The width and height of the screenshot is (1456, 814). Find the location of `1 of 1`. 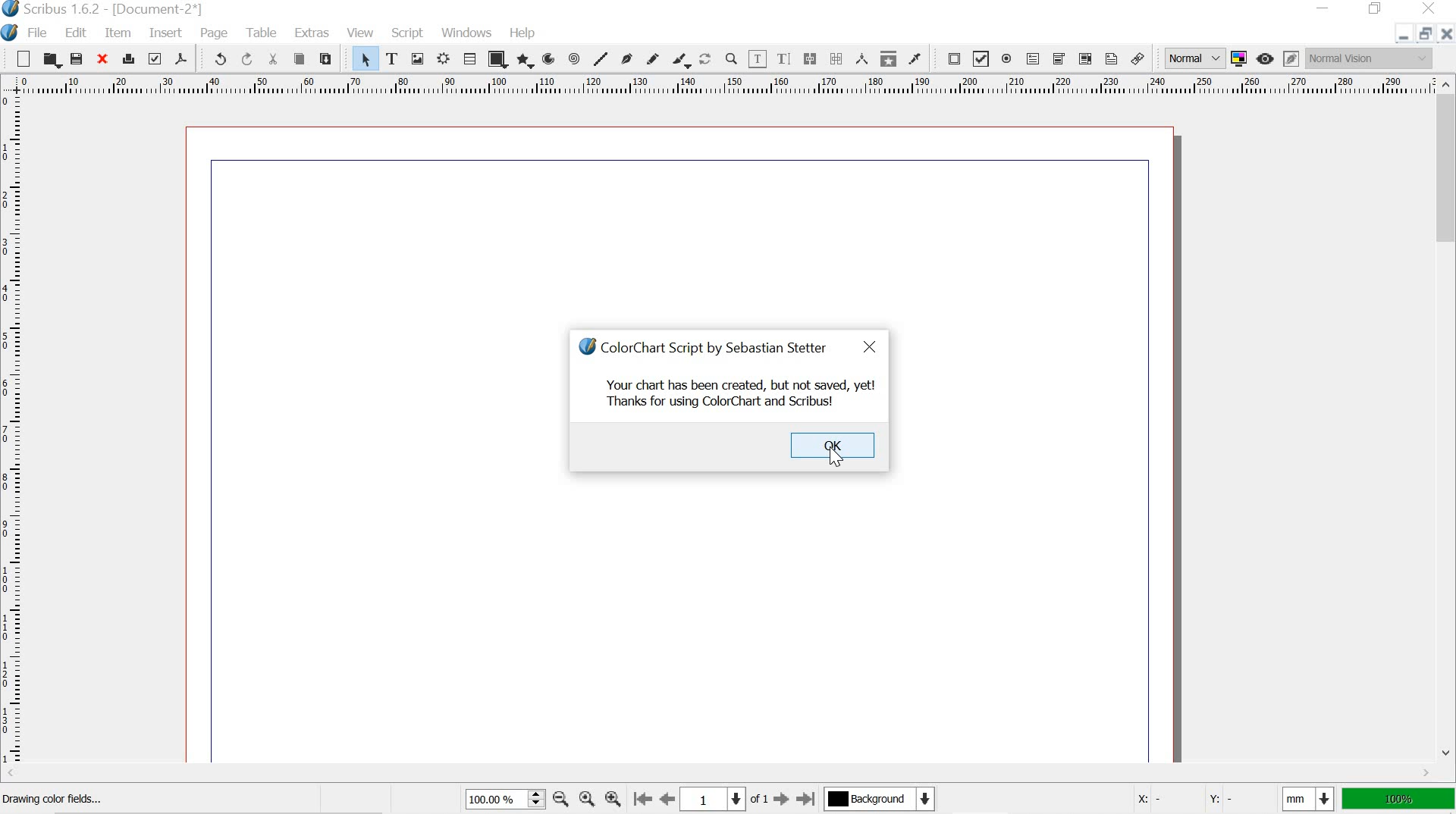

1 of 1 is located at coordinates (724, 798).